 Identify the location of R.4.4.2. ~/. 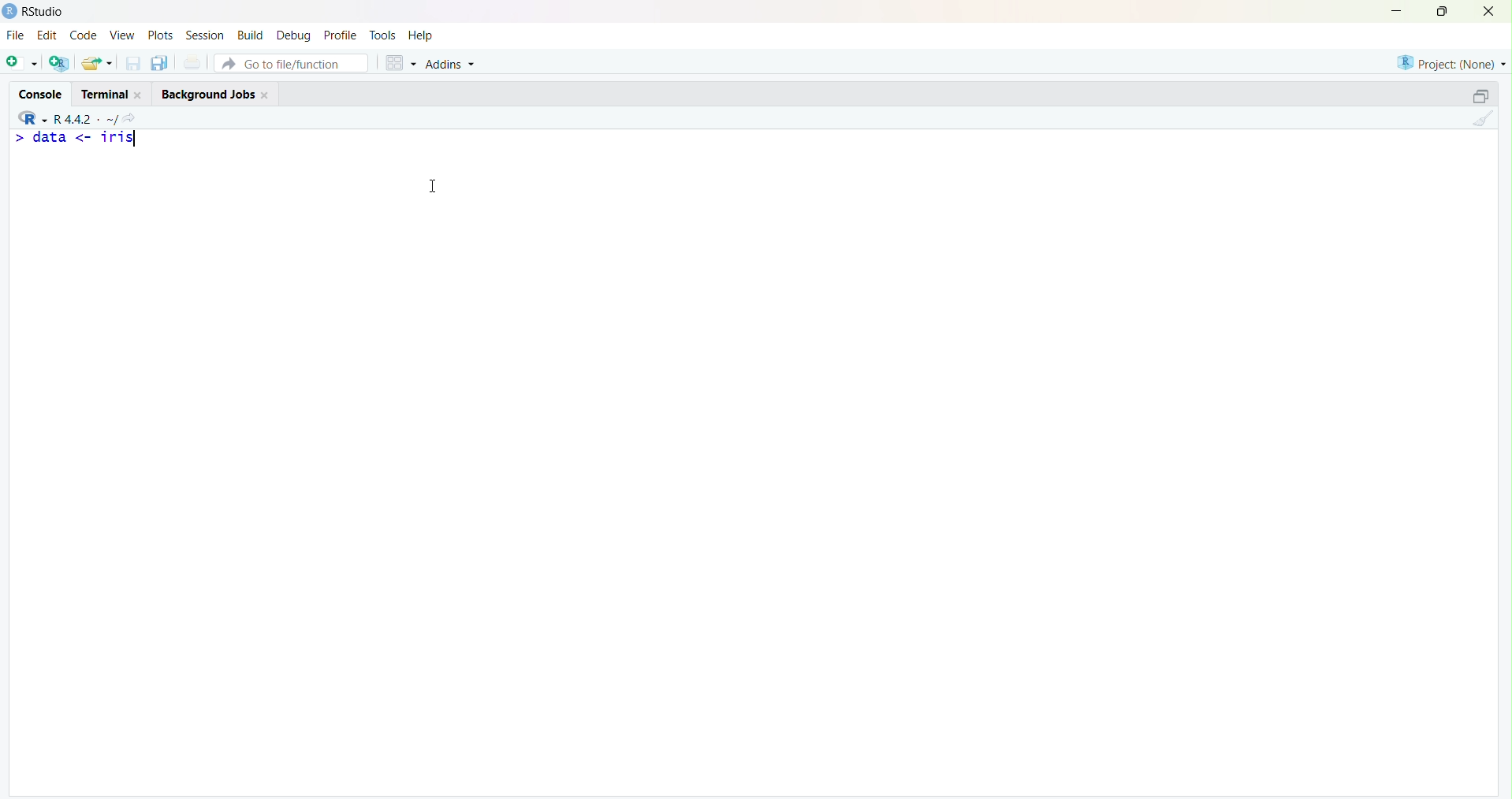
(87, 117).